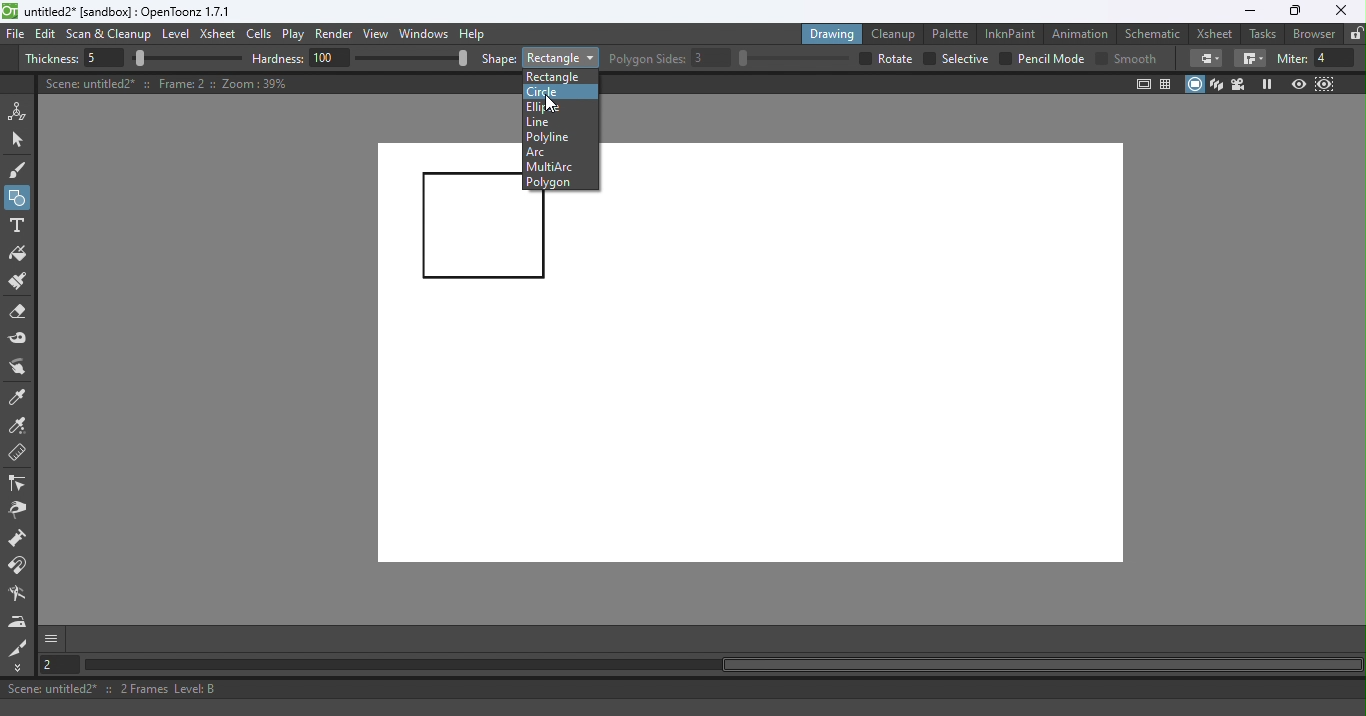  Describe the element at coordinates (499, 60) in the screenshot. I see `shape` at that location.